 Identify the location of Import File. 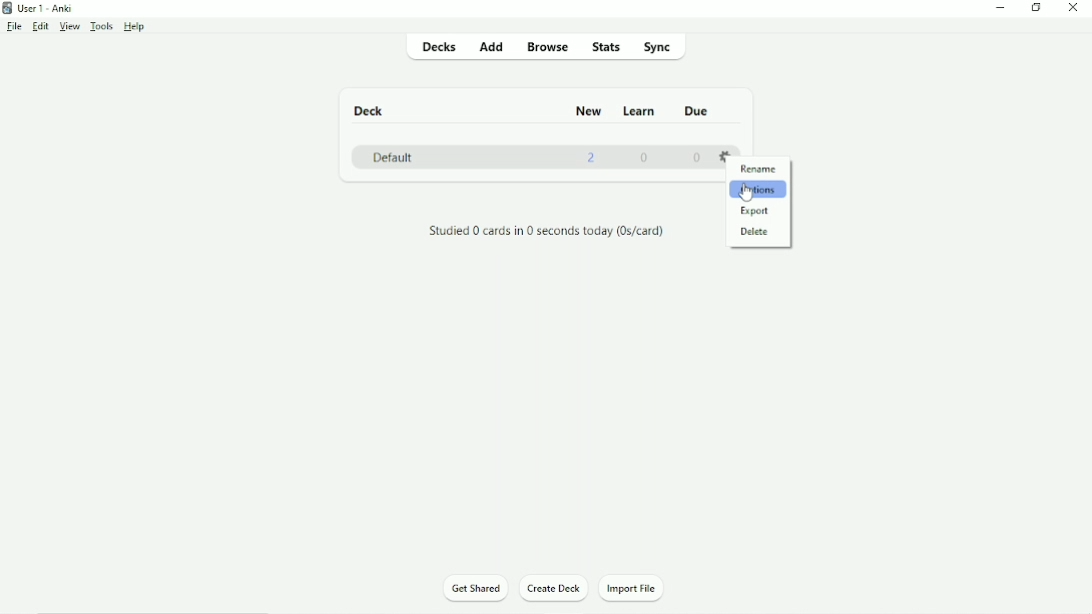
(640, 587).